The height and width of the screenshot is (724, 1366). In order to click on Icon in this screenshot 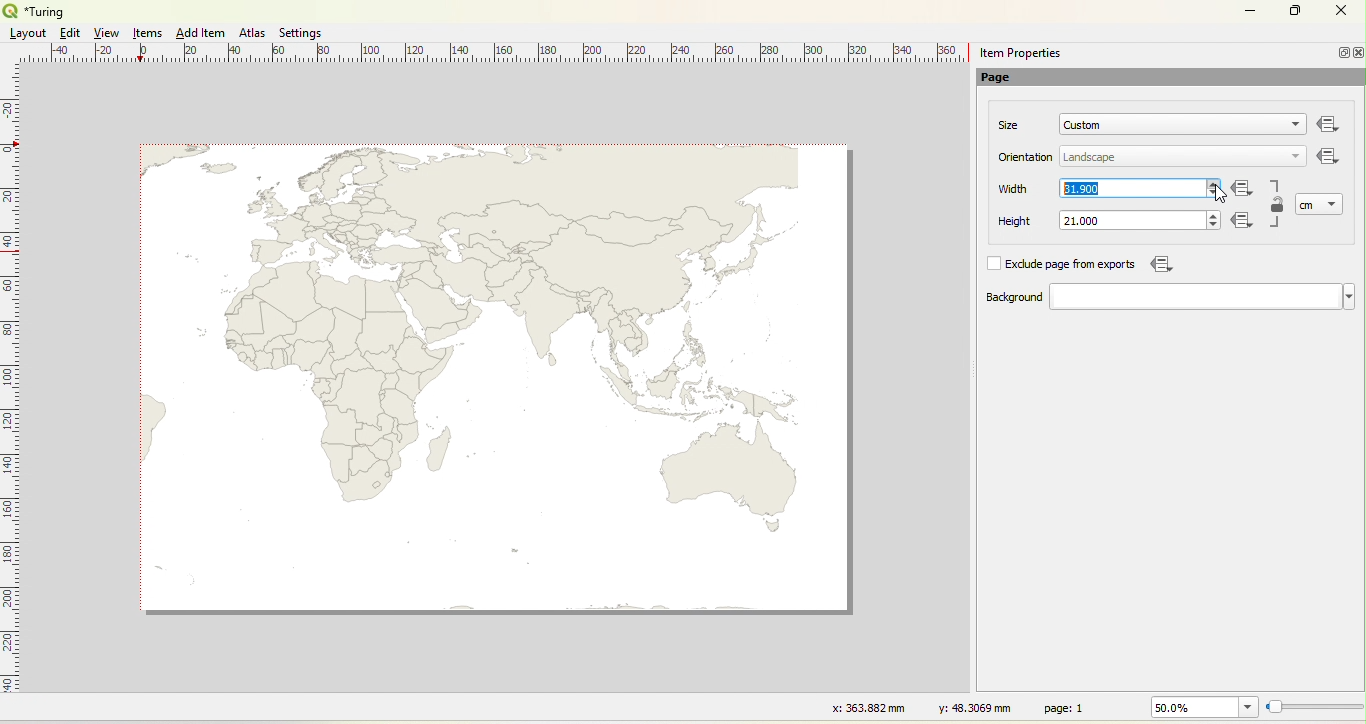, I will do `click(1246, 222)`.